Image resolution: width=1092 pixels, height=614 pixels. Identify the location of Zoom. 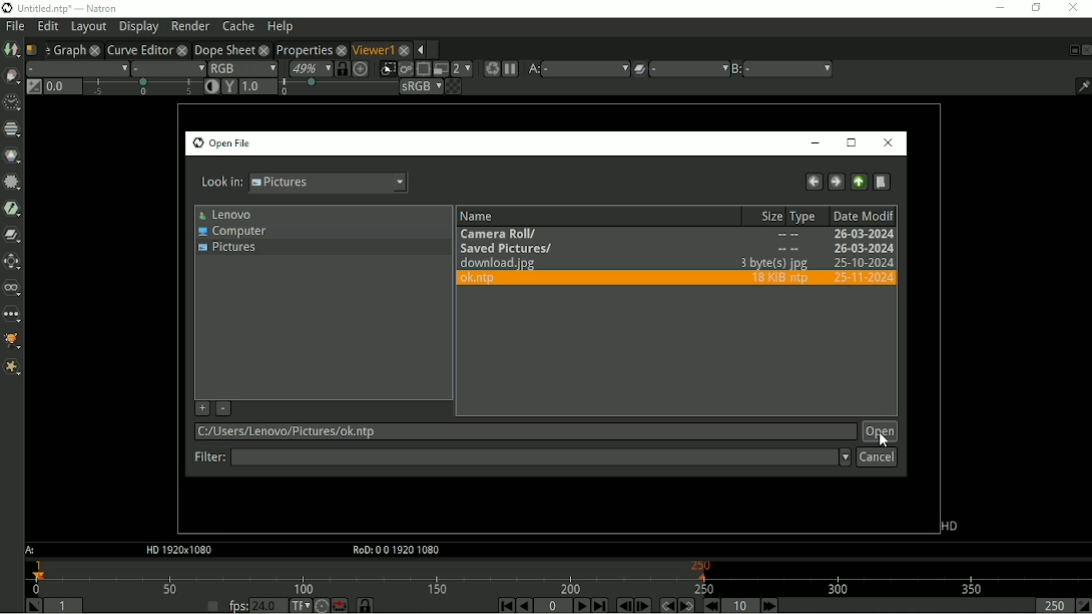
(309, 68).